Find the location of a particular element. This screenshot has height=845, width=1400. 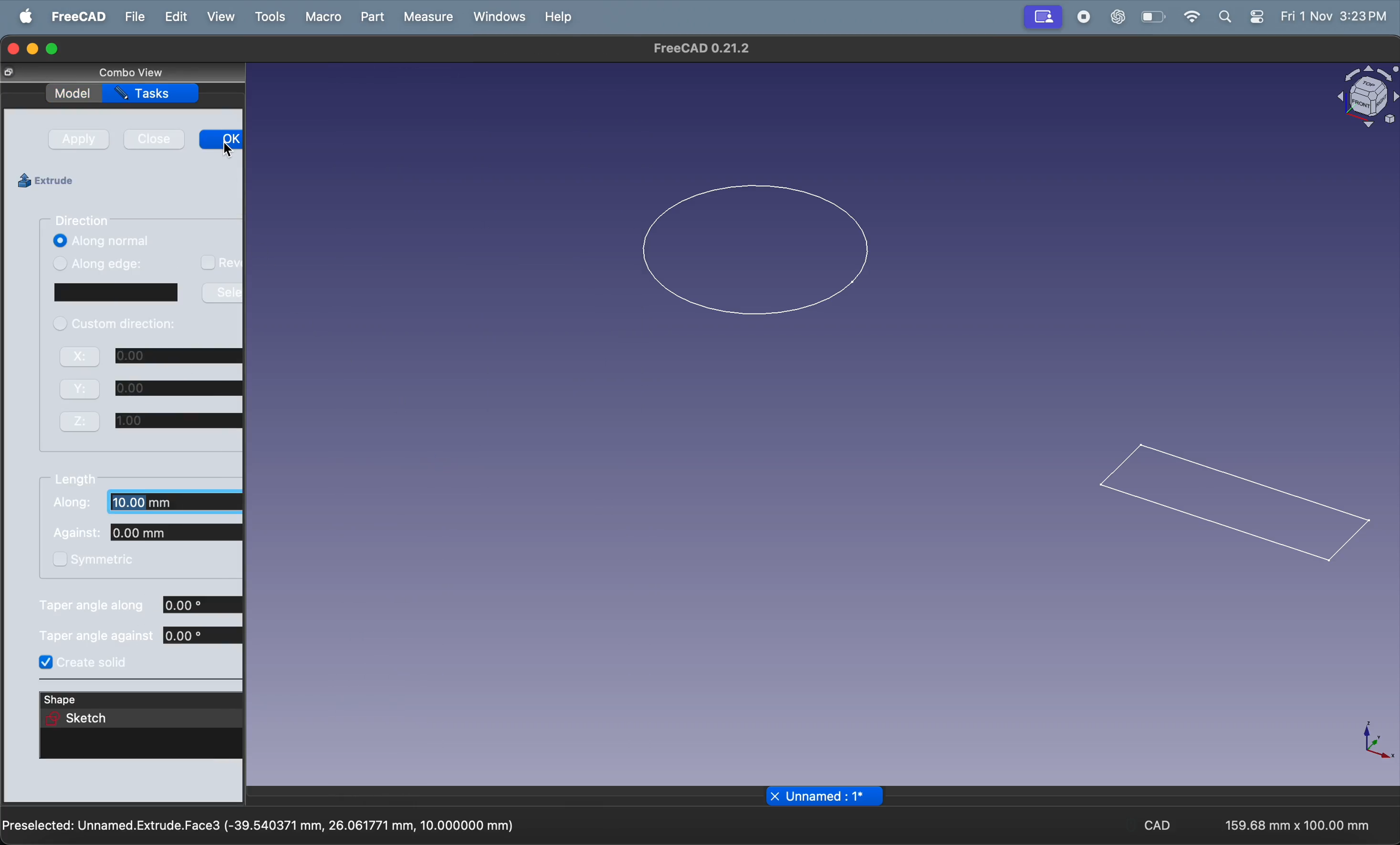

Along normal is located at coordinates (106, 241).